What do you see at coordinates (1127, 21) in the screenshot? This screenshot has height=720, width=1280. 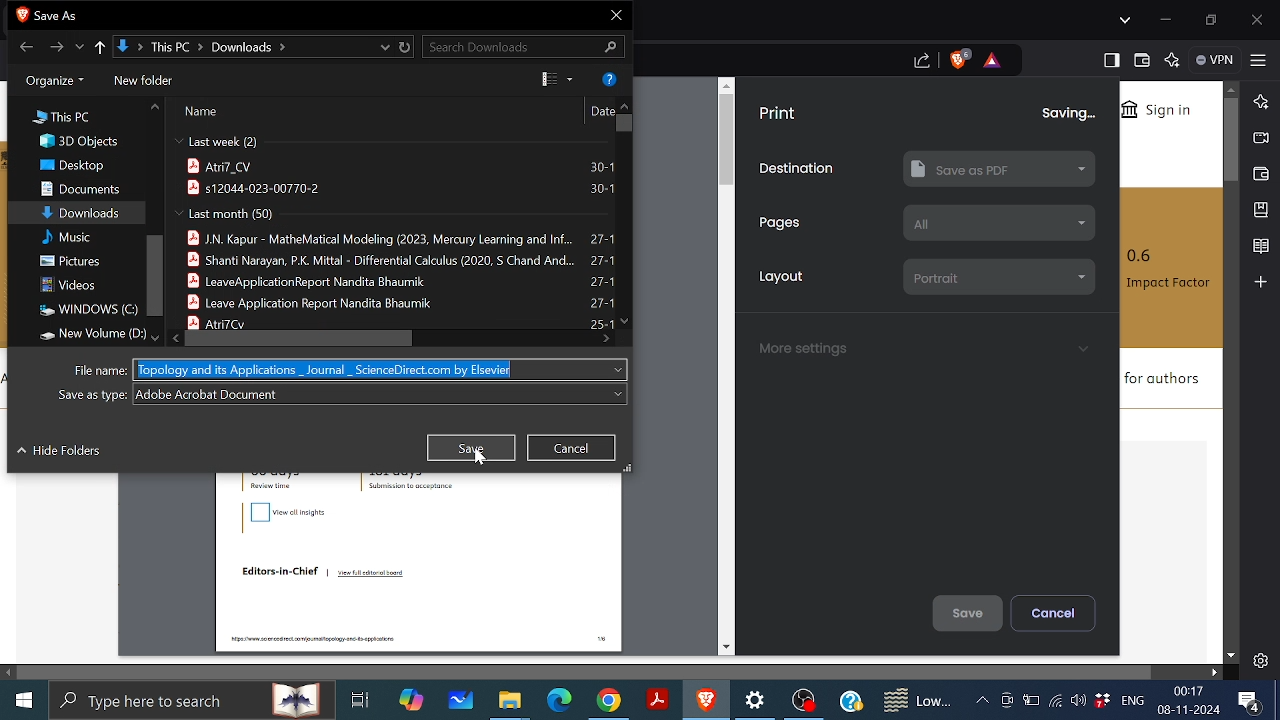 I see `Search tabs` at bounding box center [1127, 21].